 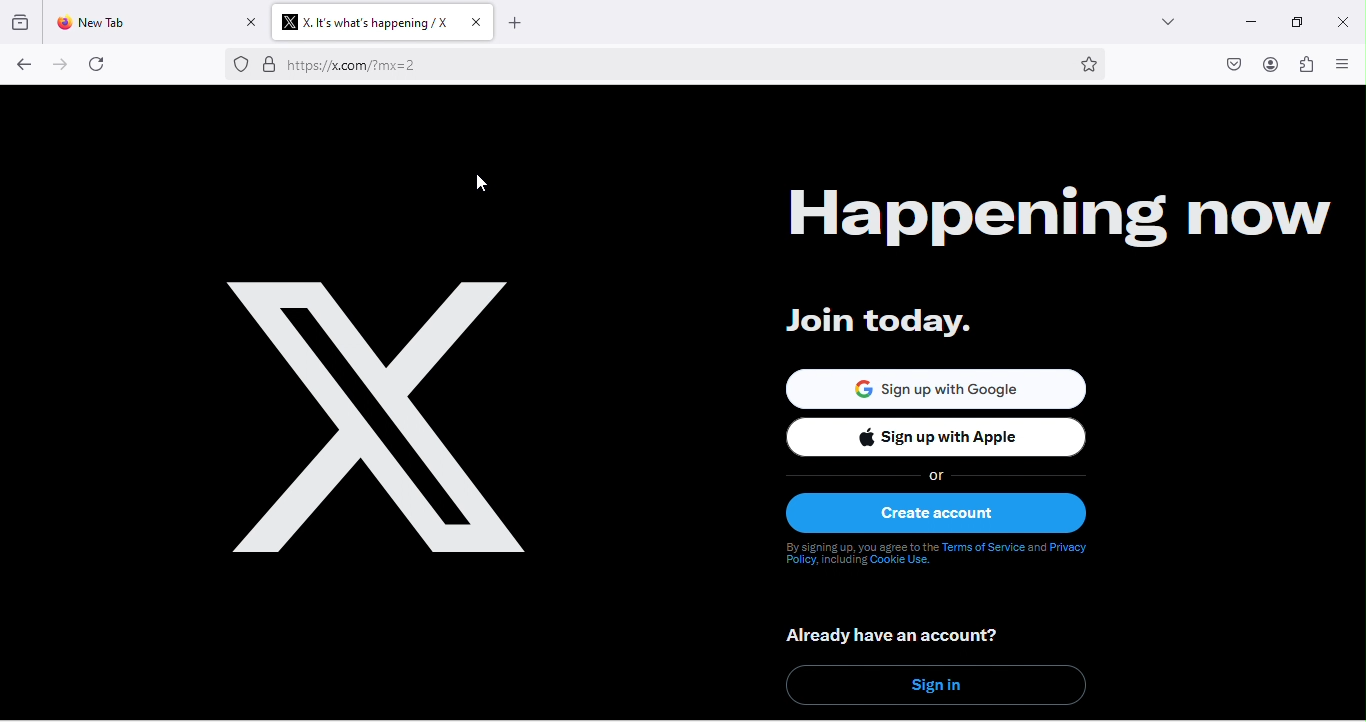 What do you see at coordinates (23, 65) in the screenshot?
I see `back` at bounding box center [23, 65].